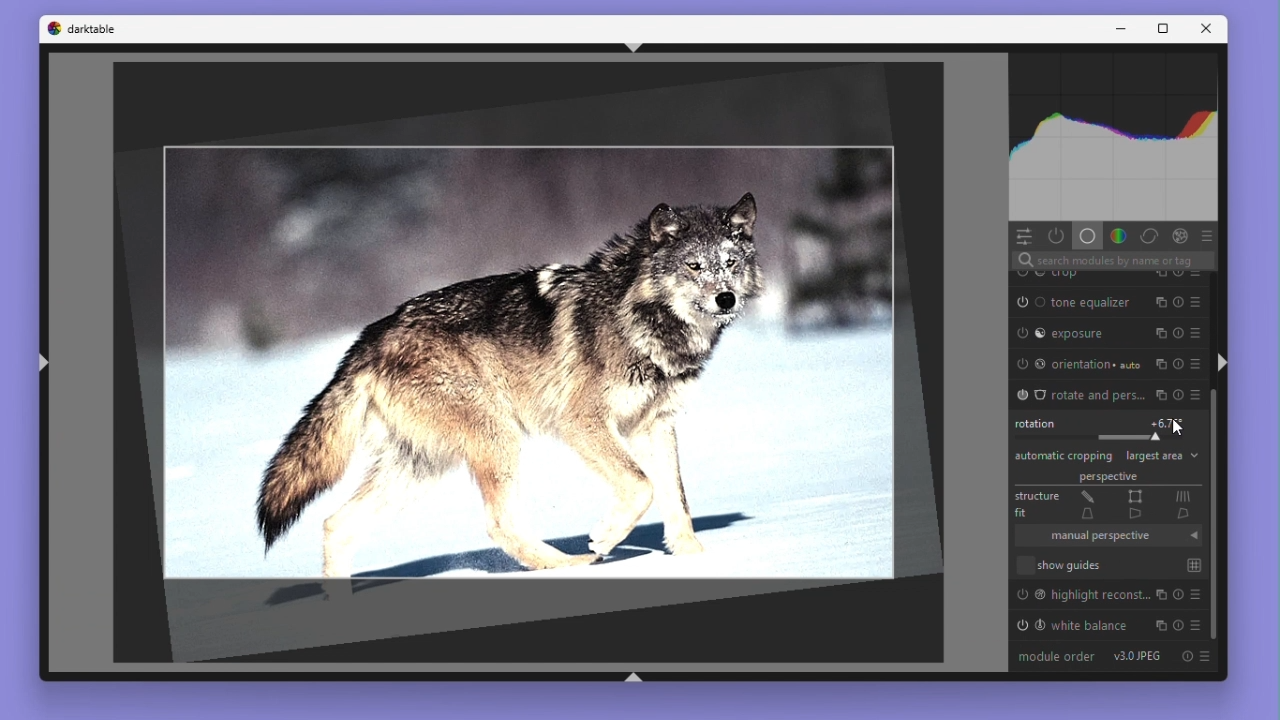 Image resolution: width=1280 pixels, height=720 pixels. Describe the element at coordinates (1105, 538) in the screenshot. I see `Manual perspective` at that location.